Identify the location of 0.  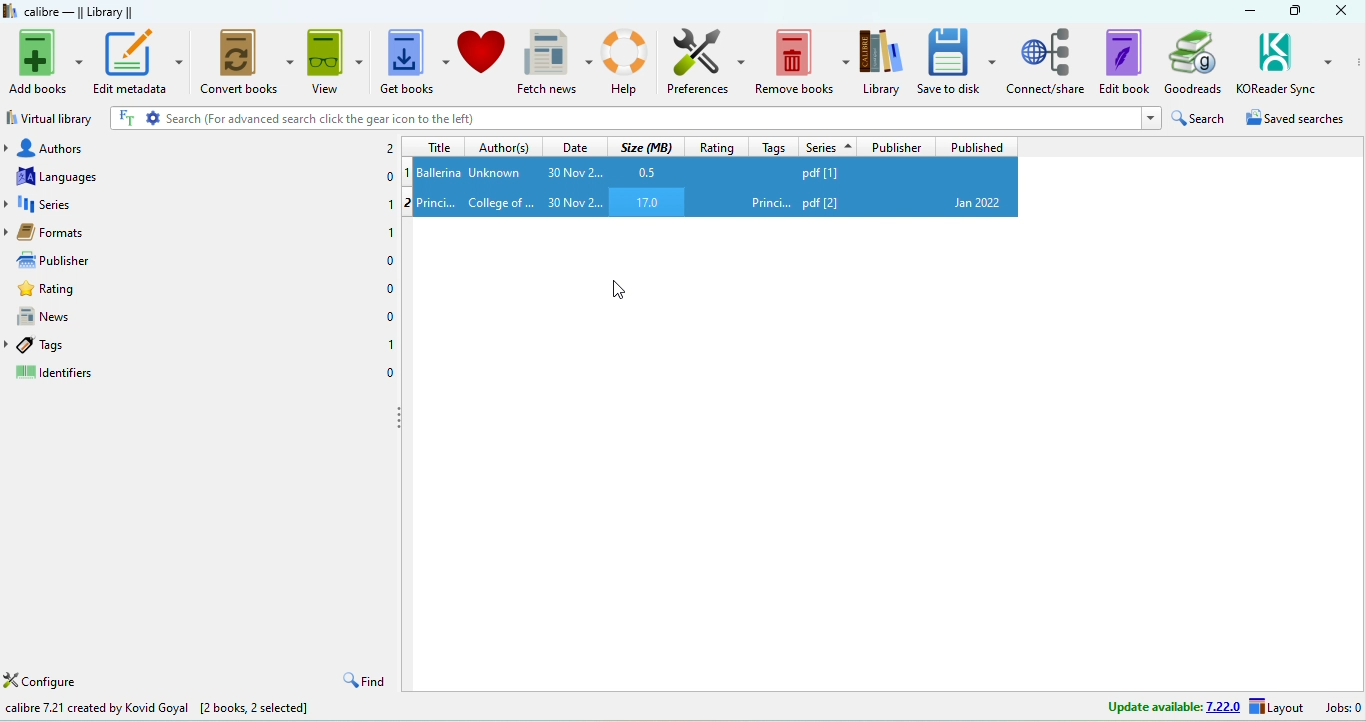
(390, 261).